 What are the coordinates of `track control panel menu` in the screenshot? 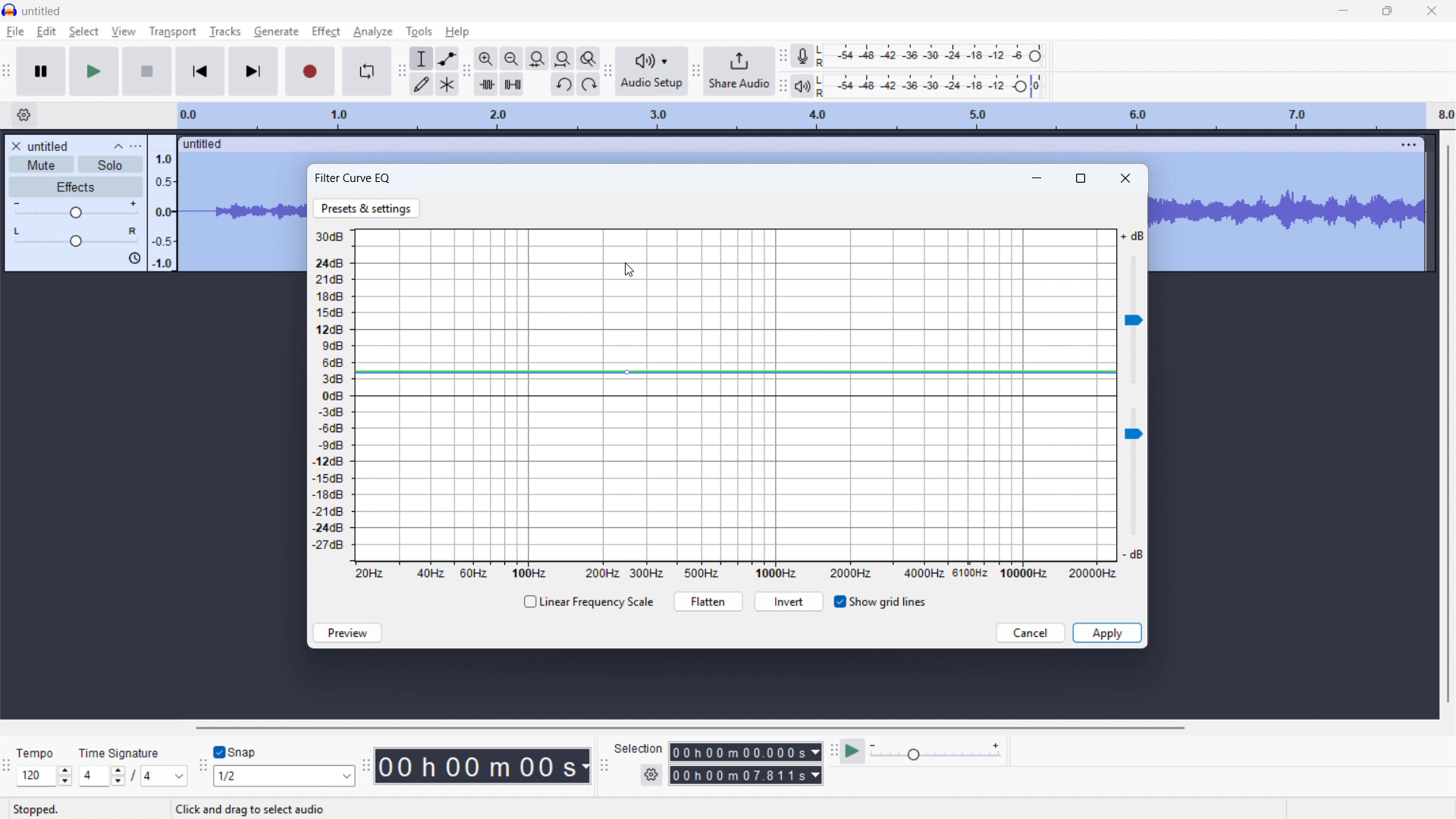 It's located at (136, 146).